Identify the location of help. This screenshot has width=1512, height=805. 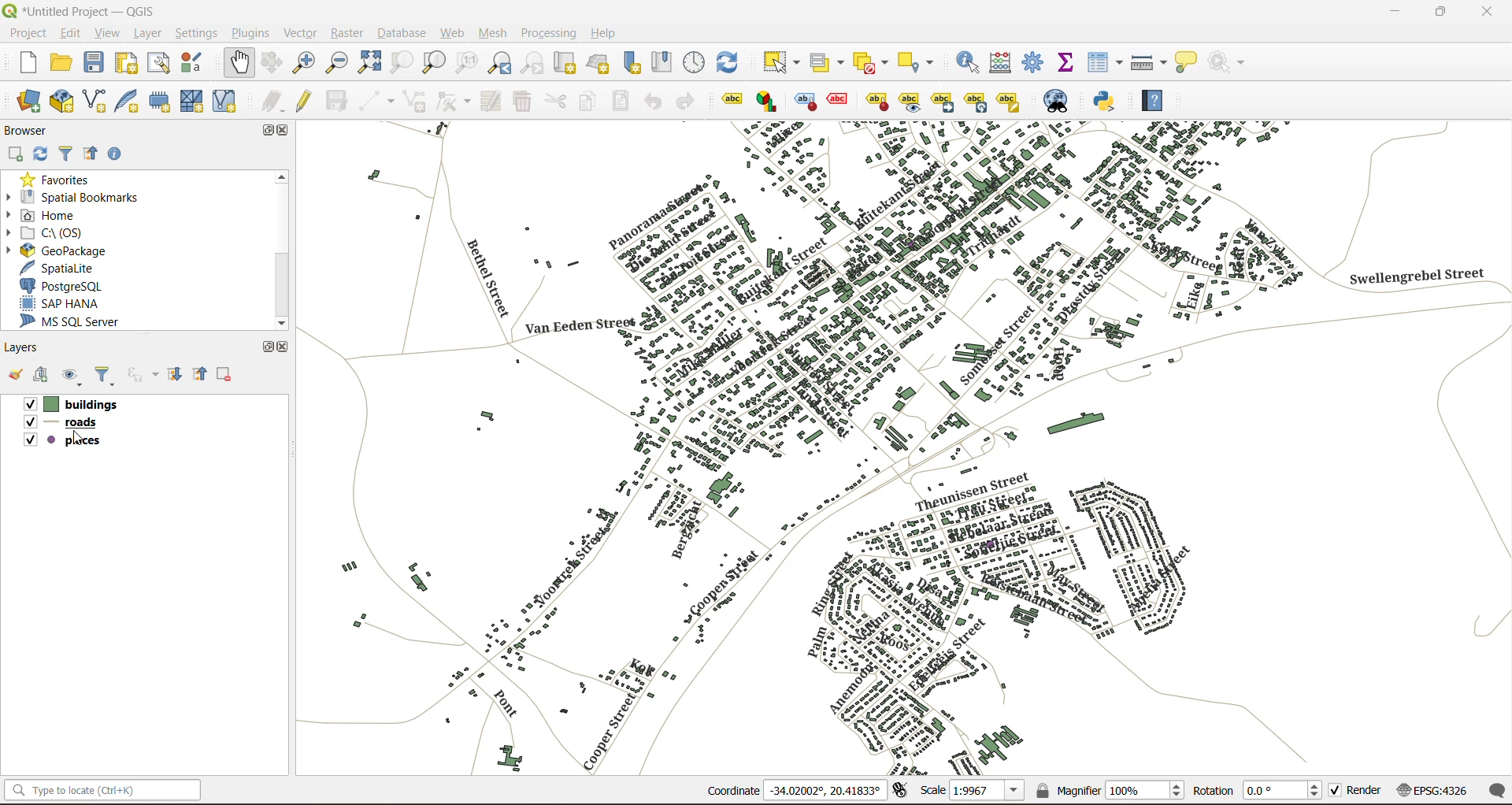
(1158, 104).